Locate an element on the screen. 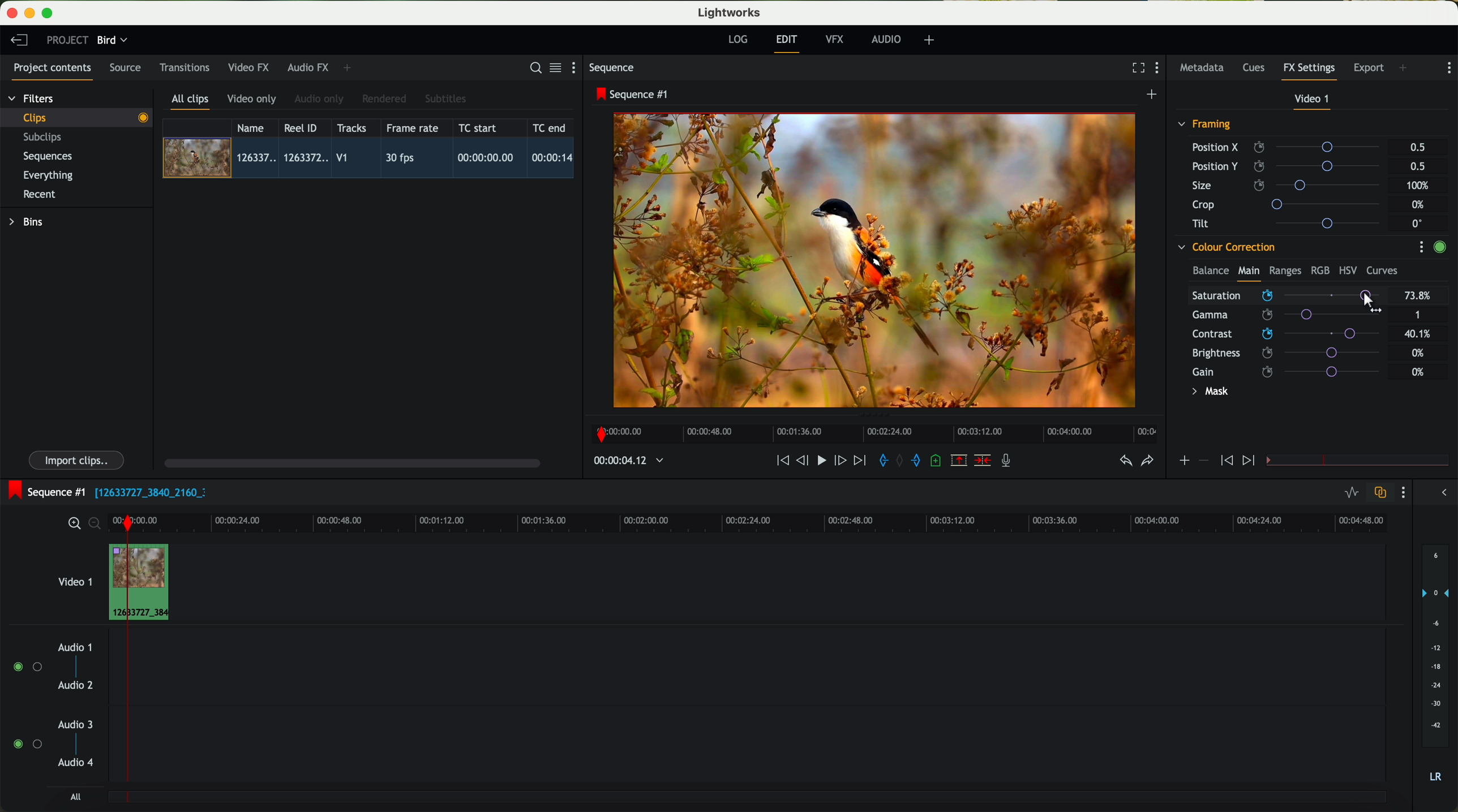 Image resolution: width=1458 pixels, height=812 pixels. rendered is located at coordinates (385, 100).